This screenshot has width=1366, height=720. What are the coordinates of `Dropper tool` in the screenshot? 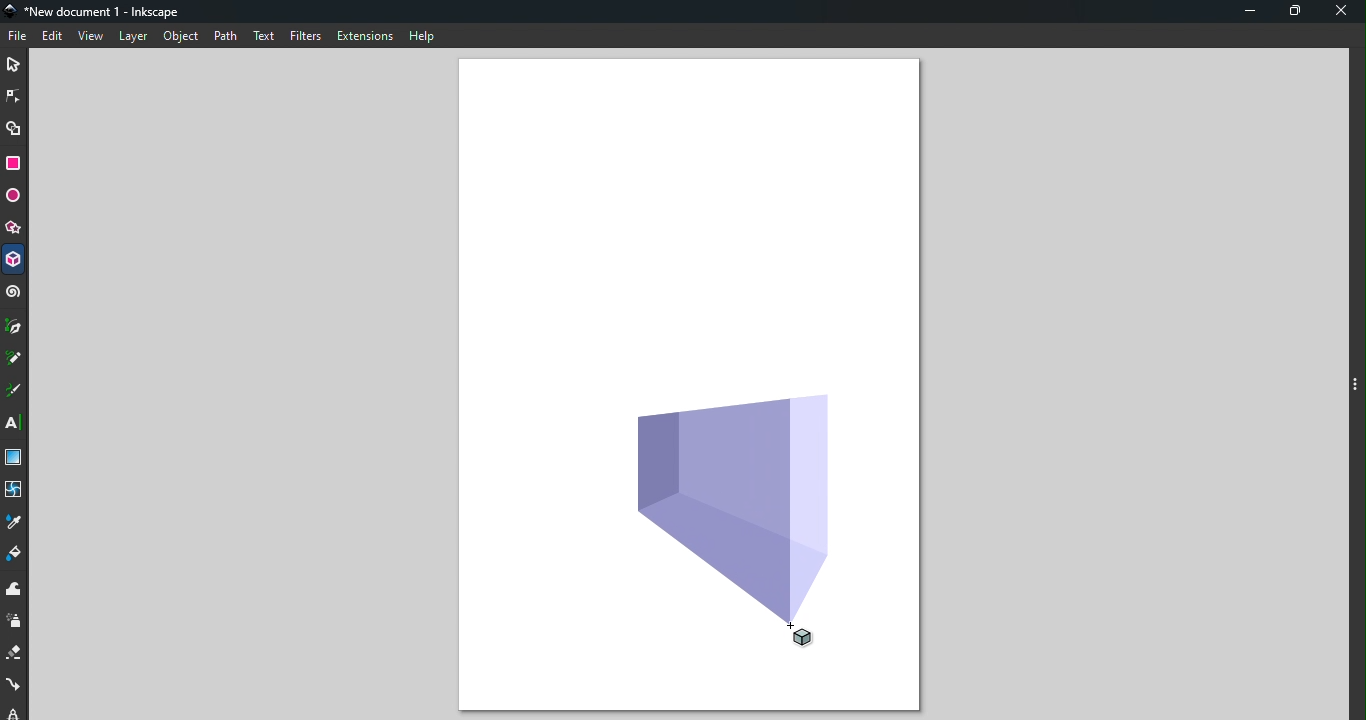 It's located at (16, 521).